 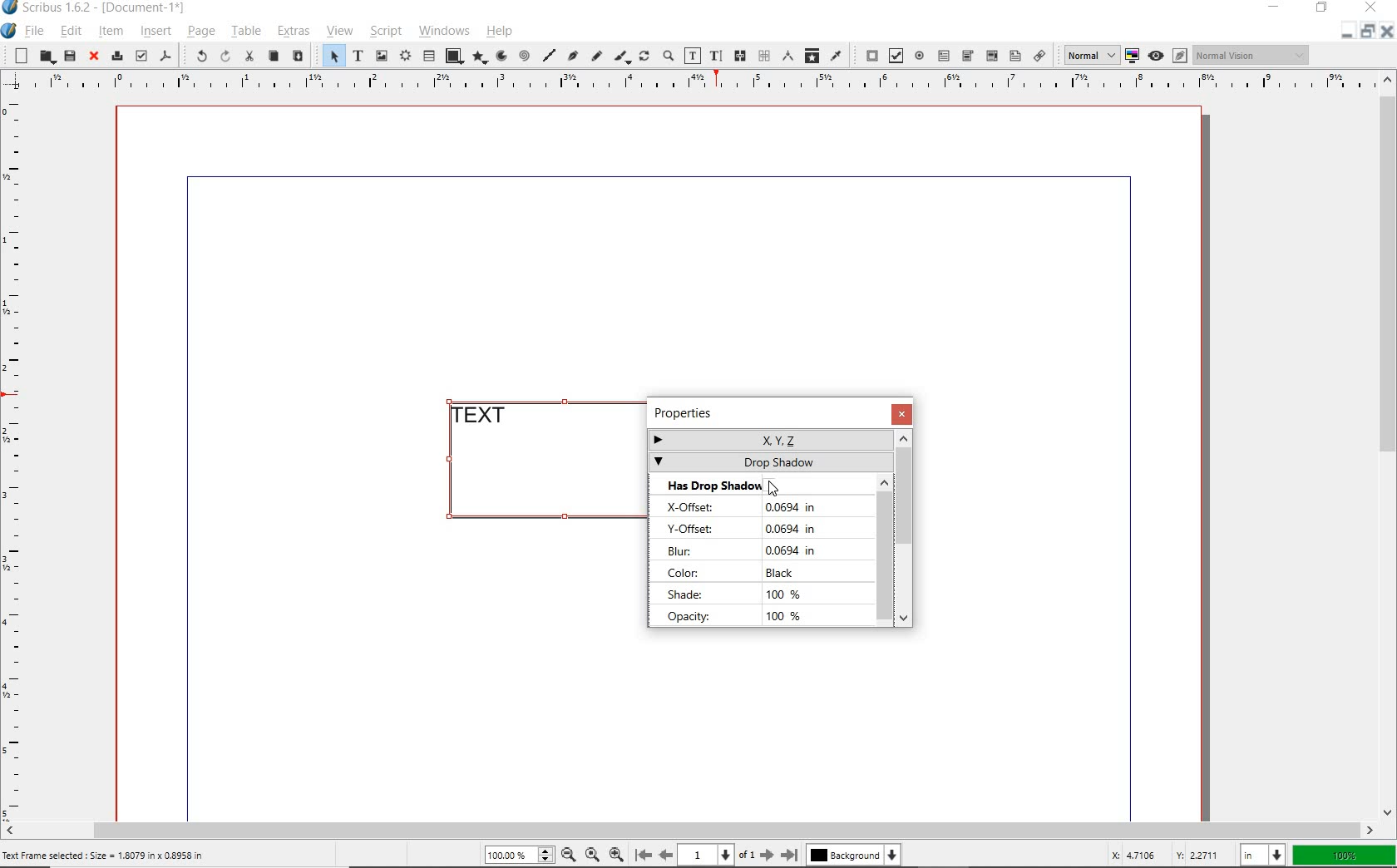 What do you see at coordinates (570, 856) in the screenshot?
I see `Zoom Out` at bounding box center [570, 856].